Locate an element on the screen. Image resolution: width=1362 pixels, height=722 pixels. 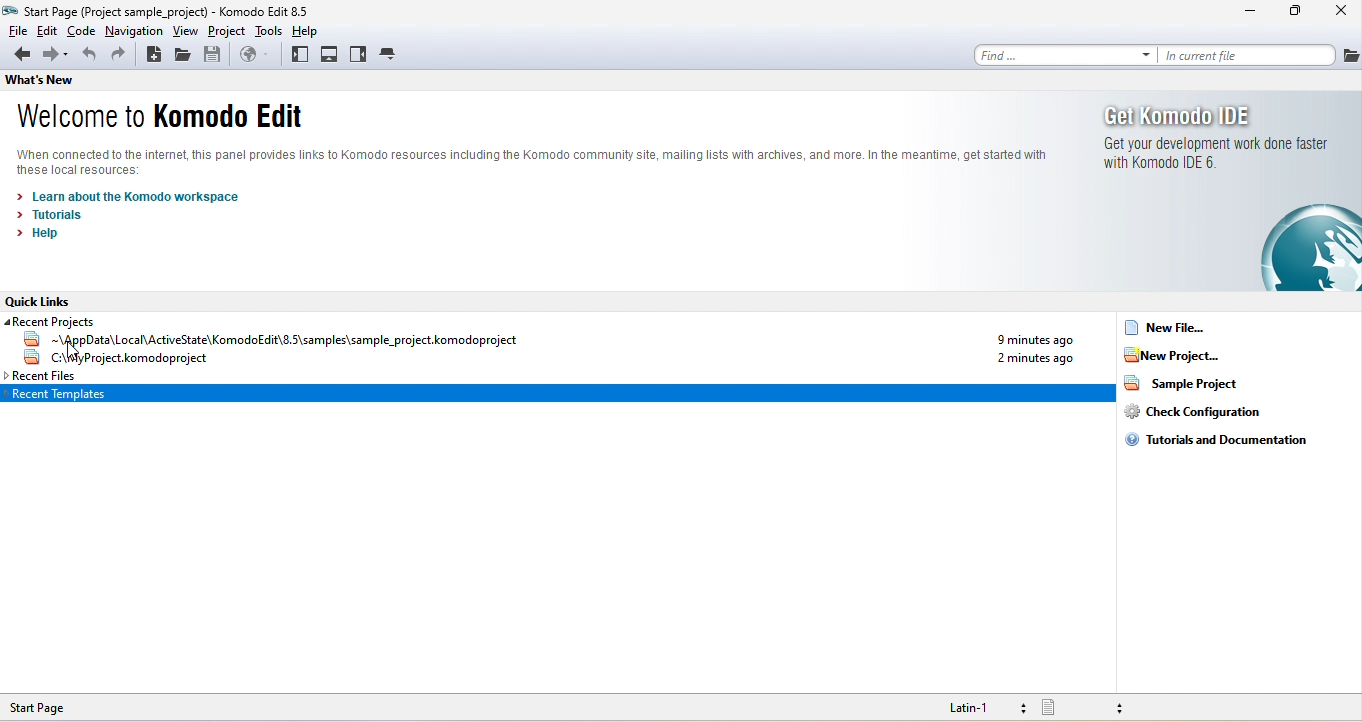
new file is located at coordinates (1174, 329).